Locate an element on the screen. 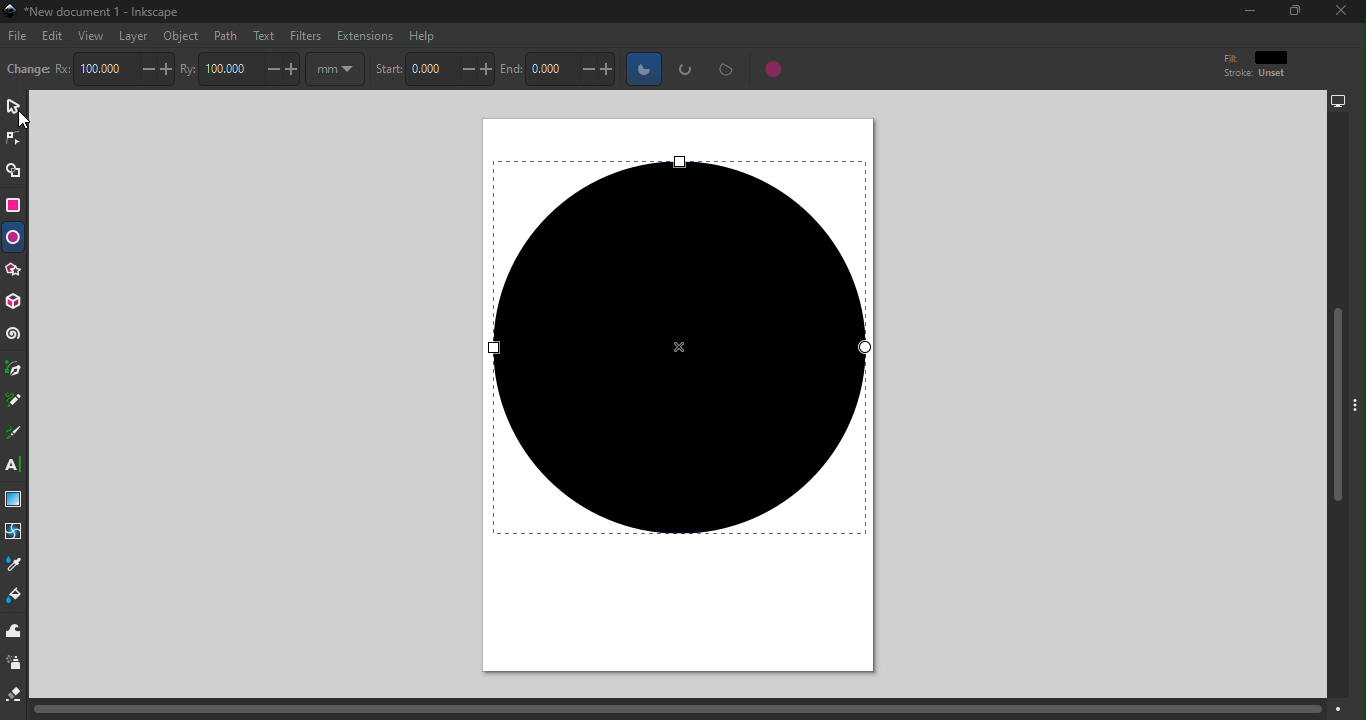 The width and height of the screenshot is (1366, 720). Style of new ellipses is located at coordinates (1238, 64).